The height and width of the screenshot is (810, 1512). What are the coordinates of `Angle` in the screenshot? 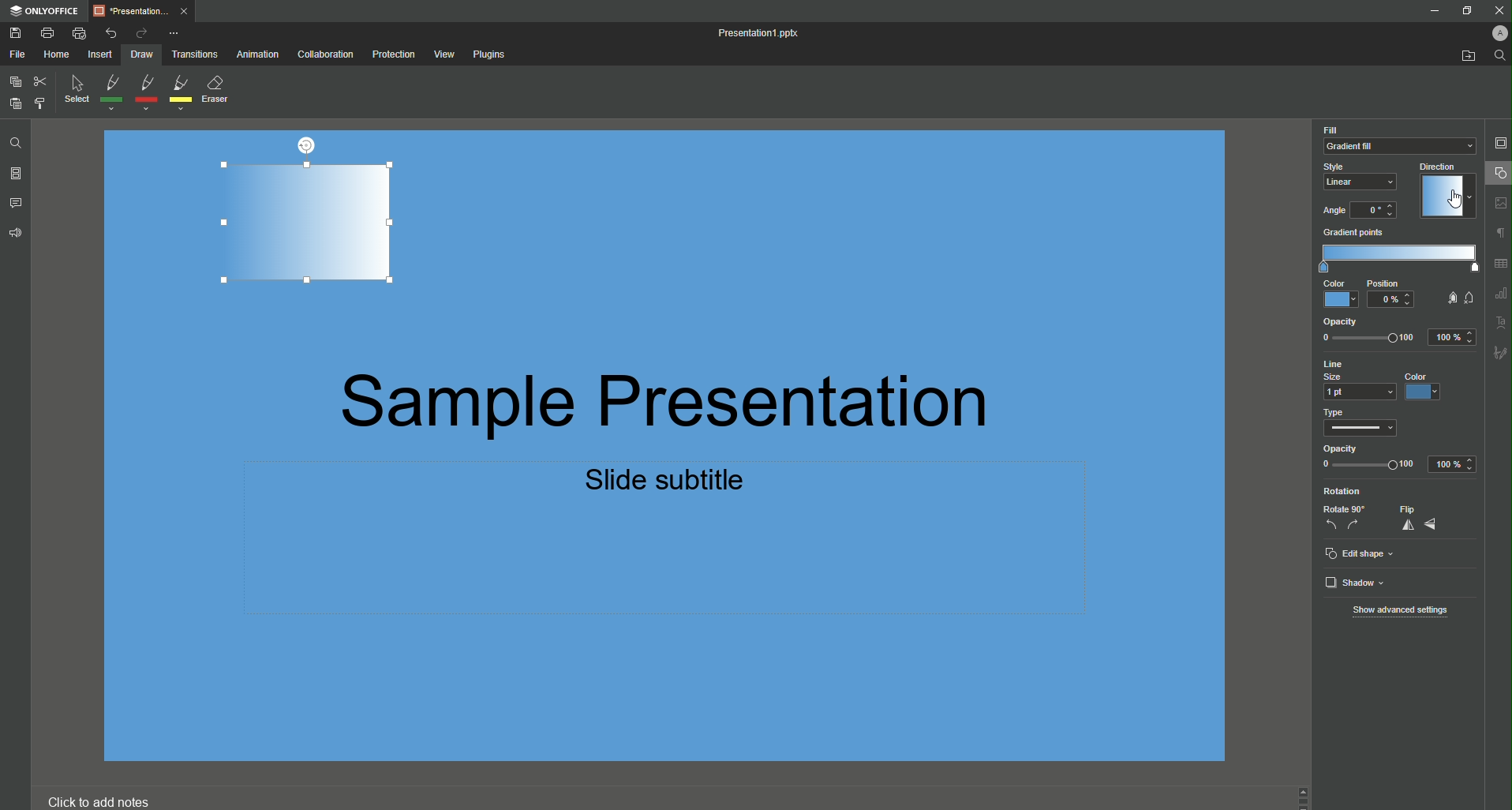 It's located at (1353, 211).